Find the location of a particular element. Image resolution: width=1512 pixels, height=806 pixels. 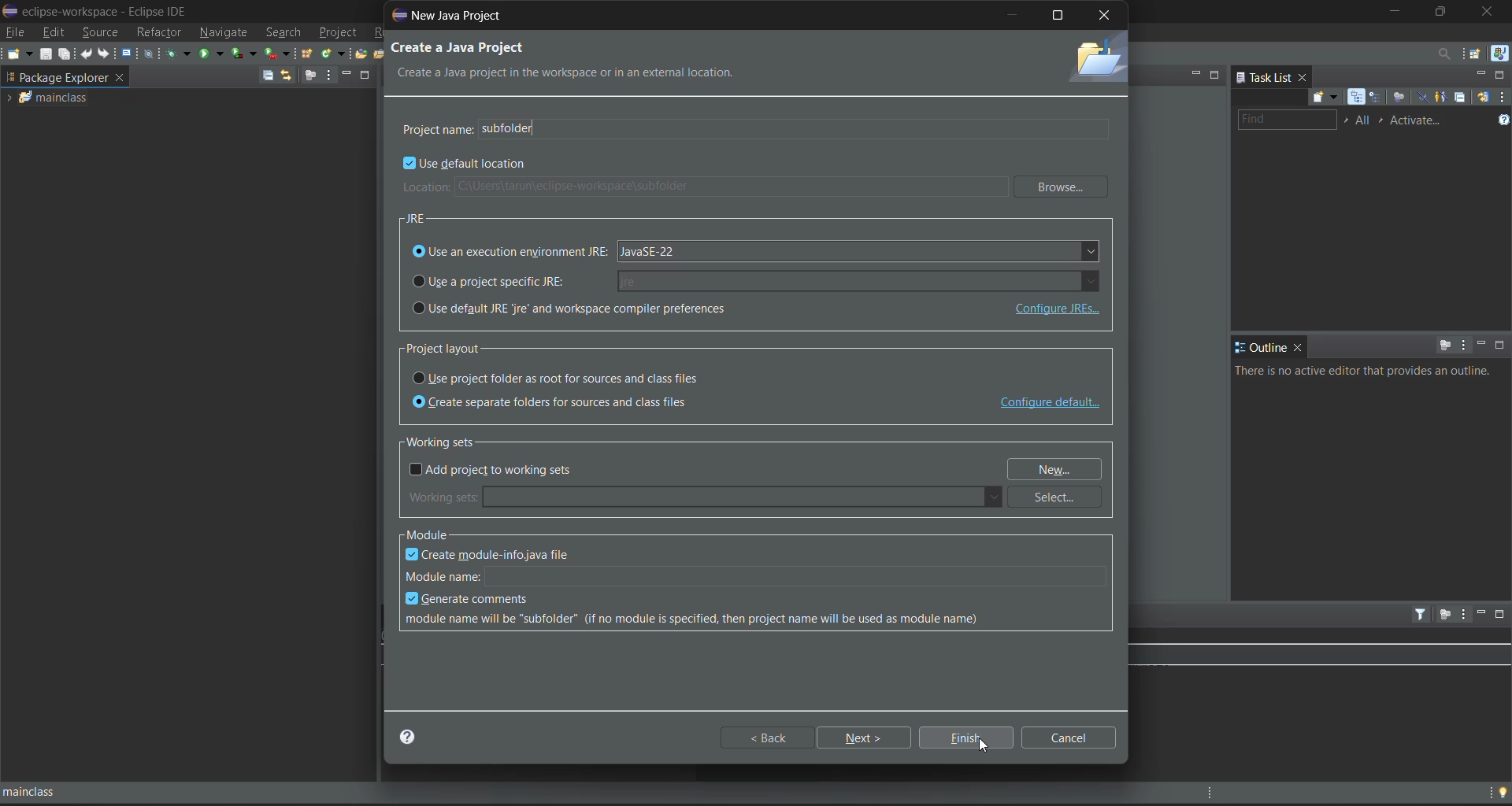

task list is located at coordinates (1263, 76).